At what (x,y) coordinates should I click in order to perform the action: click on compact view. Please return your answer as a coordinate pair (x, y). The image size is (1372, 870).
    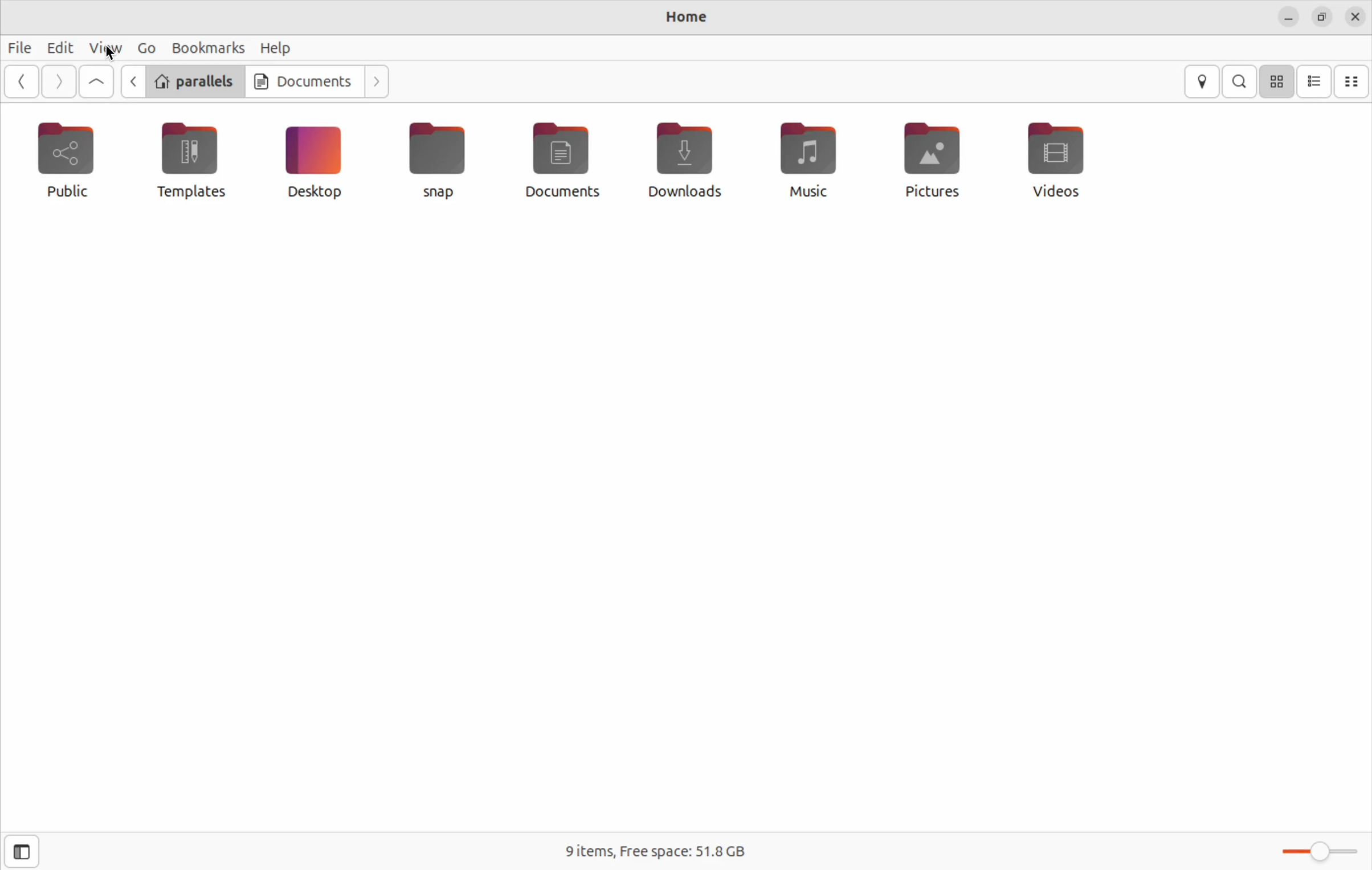
    Looking at the image, I should click on (1353, 80).